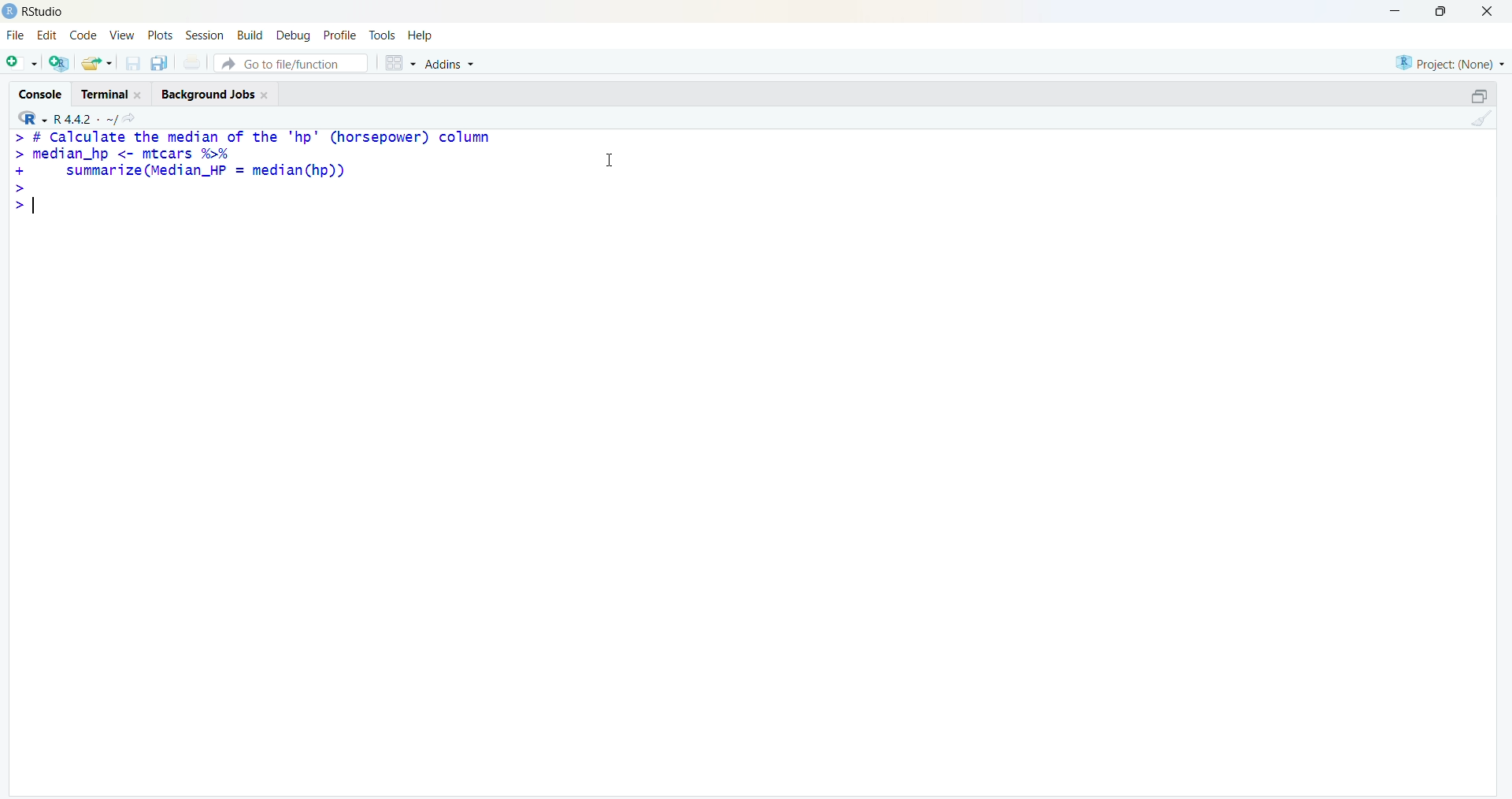  I want to click on edit, so click(46, 35).